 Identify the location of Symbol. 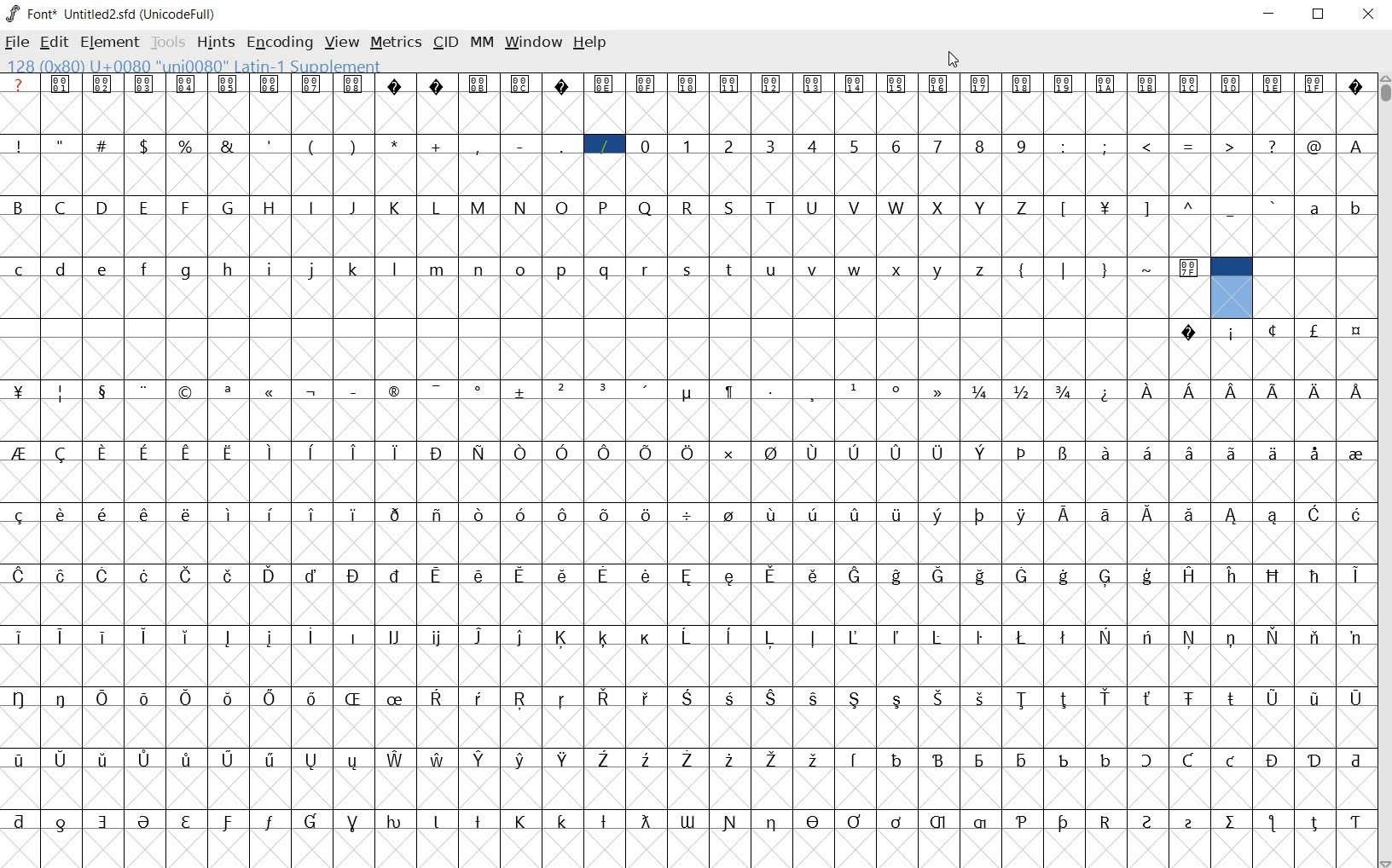
(604, 84).